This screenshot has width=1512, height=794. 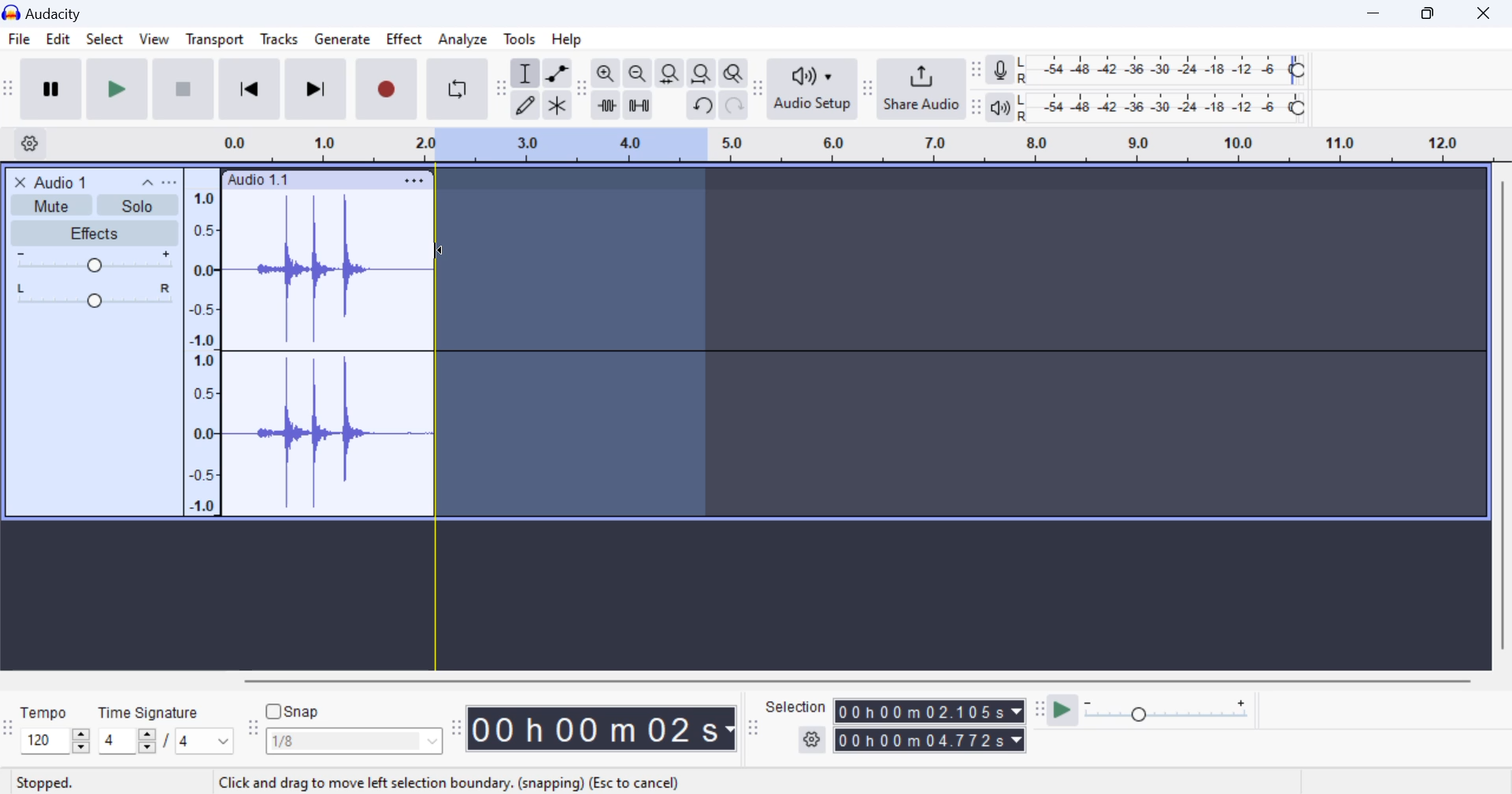 I want to click on increase or decrease time signature, so click(x=127, y=741).